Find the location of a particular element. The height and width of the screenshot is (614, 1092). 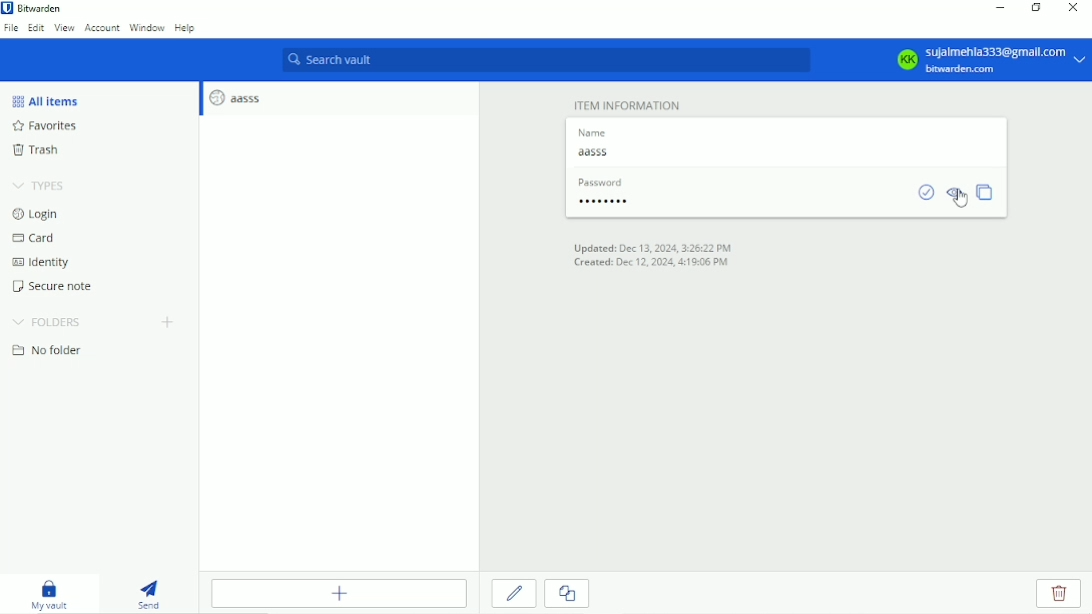

Login is located at coordinates (37, 214).